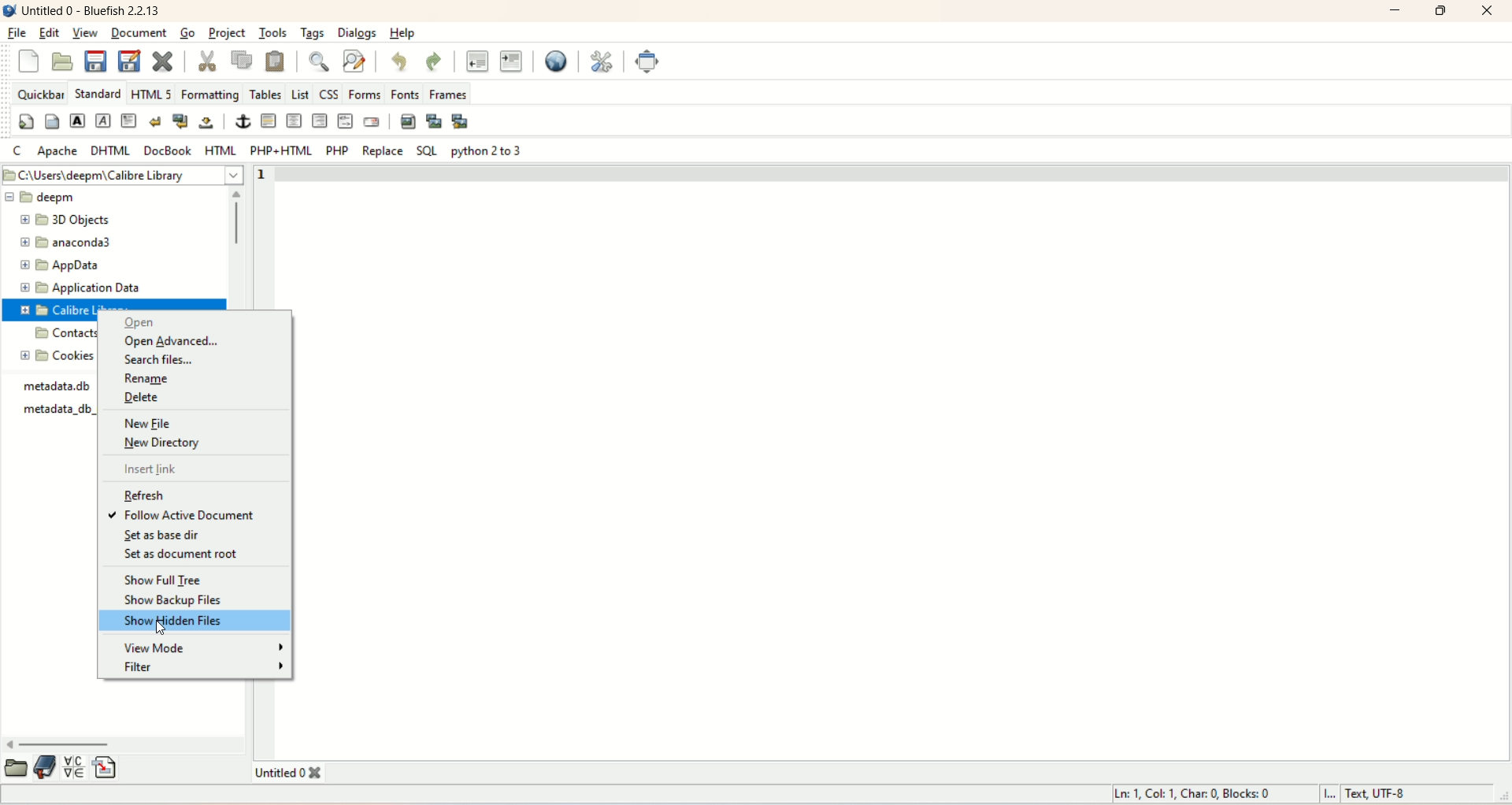 This screenshot has width=1512, height=805. Describe the element at coordinates (270, 176) in the screenshot. I see `line number` at that location.